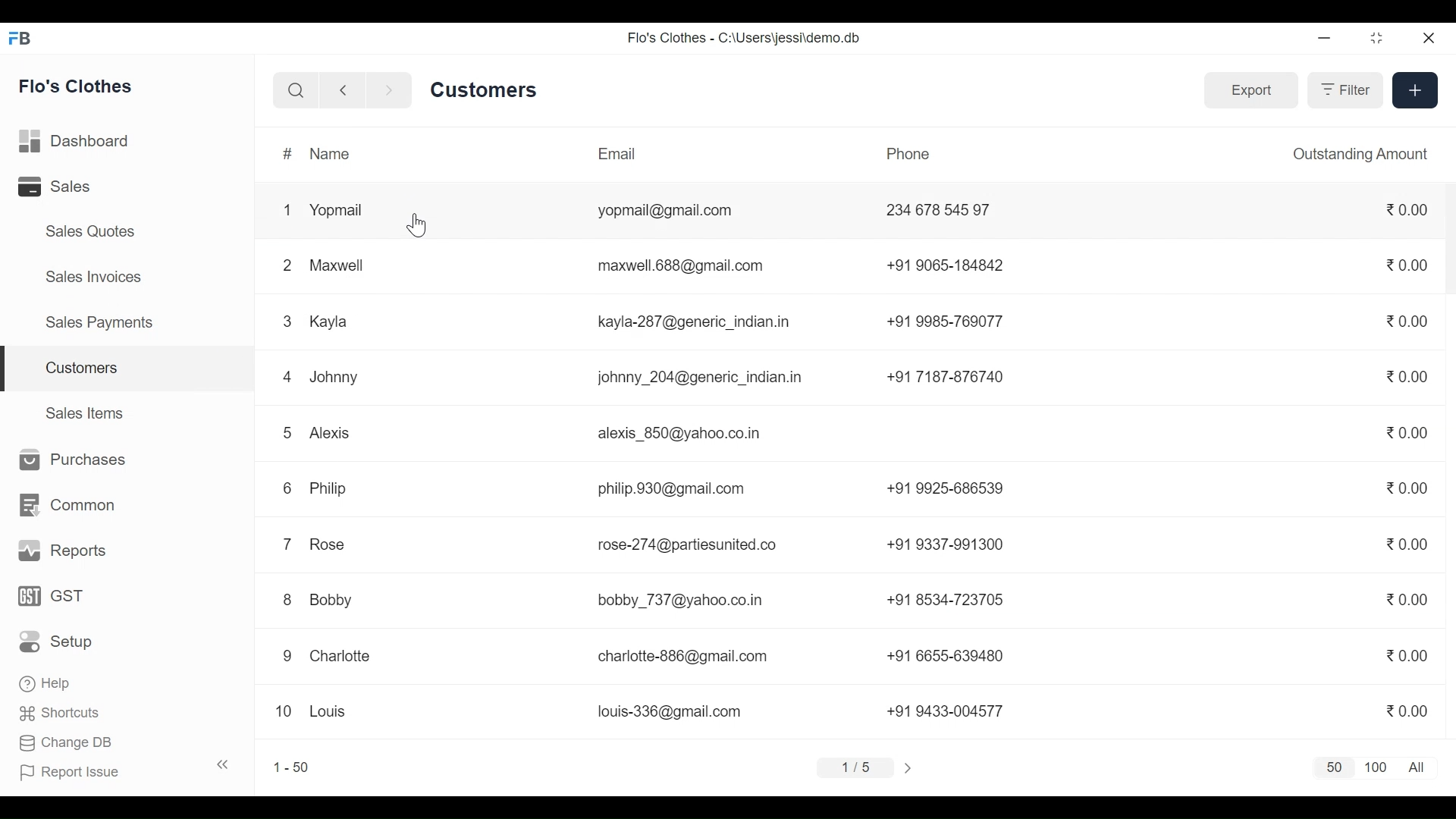 This screenshot has height=819, width=1456. What do you see at coordinates (47, 681) in the screenshot?
I see `Help` at bounding box center [47, 681].